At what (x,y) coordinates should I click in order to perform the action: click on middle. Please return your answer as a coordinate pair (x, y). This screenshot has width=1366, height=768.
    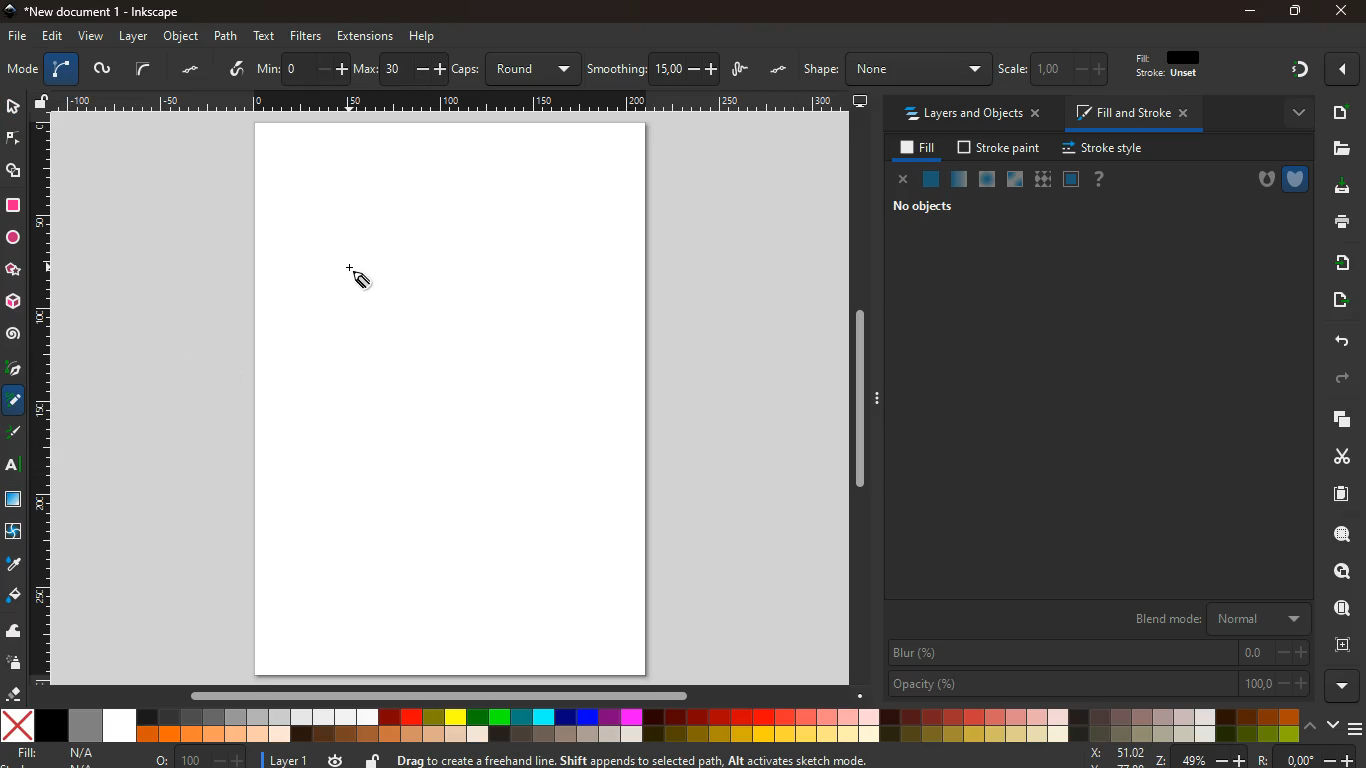
    Looking at the image, I should click on (309, 71).